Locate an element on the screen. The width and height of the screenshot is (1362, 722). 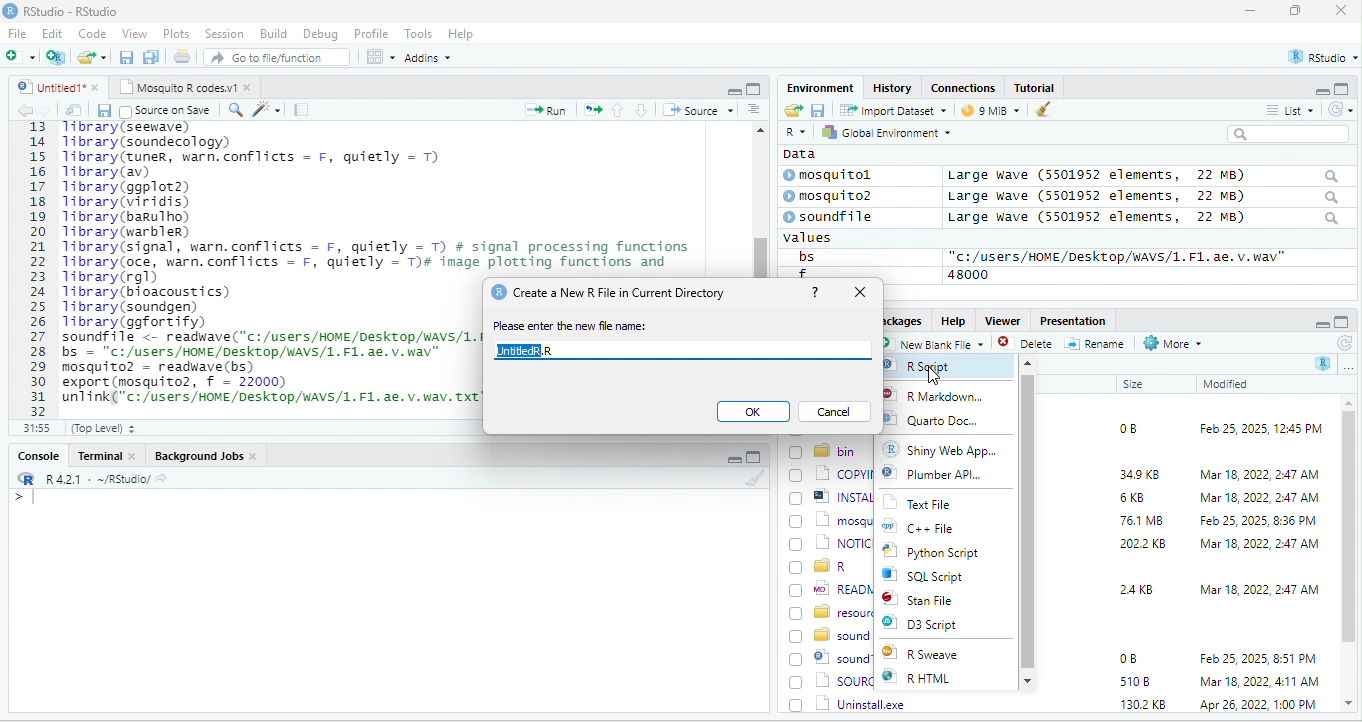
Cancel is located at coordinates (837, 411).